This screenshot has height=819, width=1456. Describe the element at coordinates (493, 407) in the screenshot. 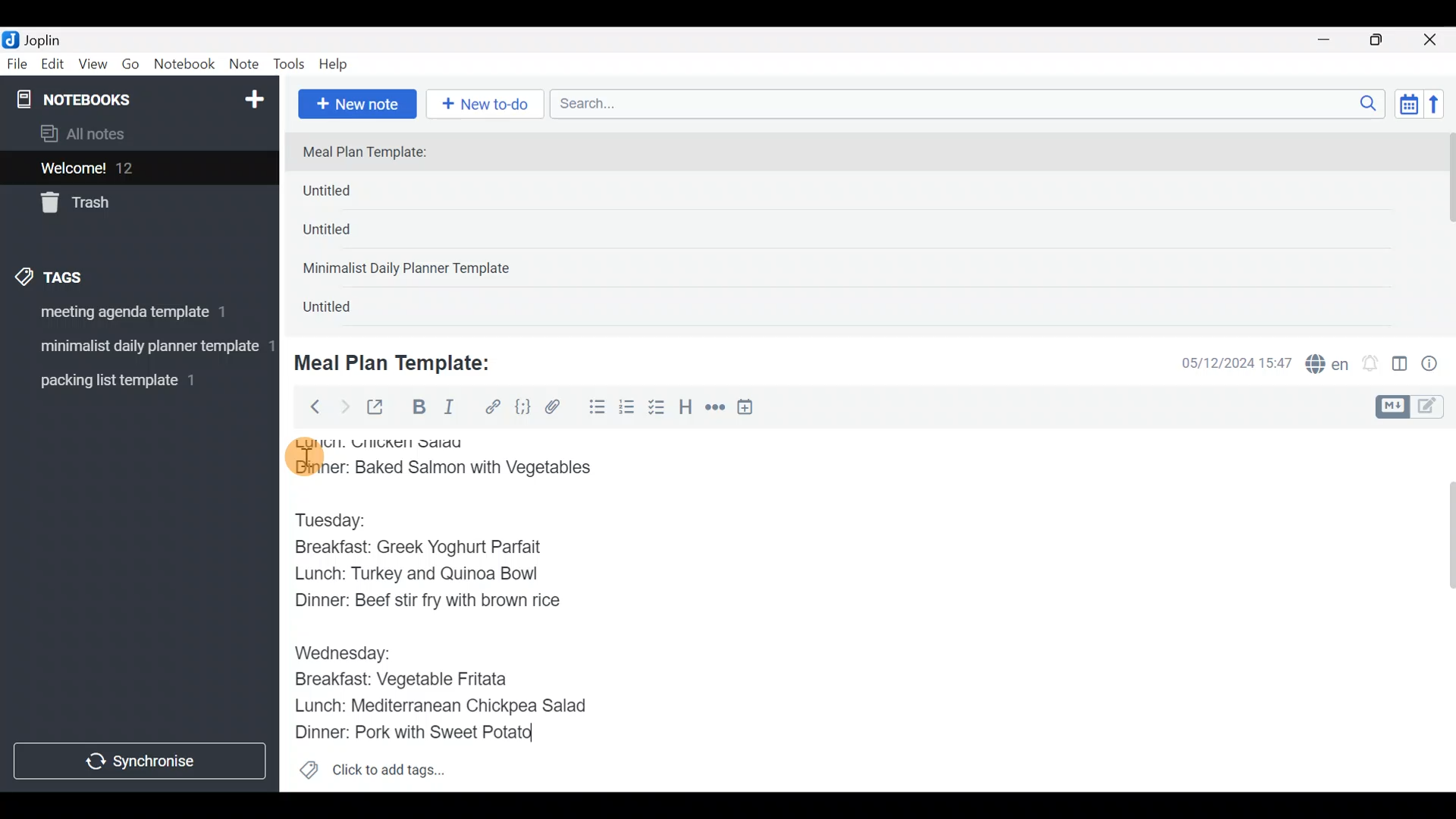

I see `Hyperlink` at that location.